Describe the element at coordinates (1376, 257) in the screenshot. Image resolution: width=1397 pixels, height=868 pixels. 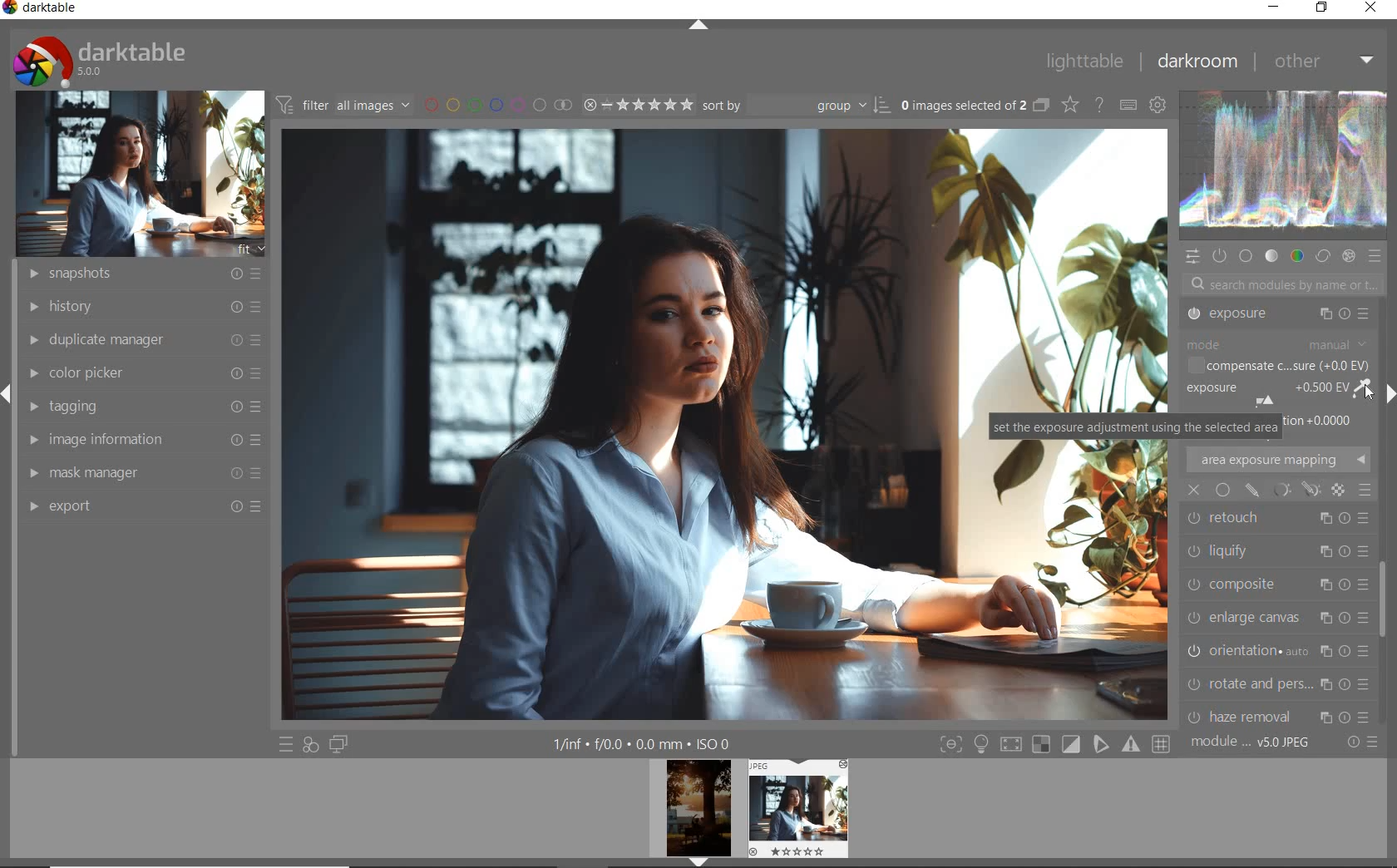
I see `PRESET` at that location.